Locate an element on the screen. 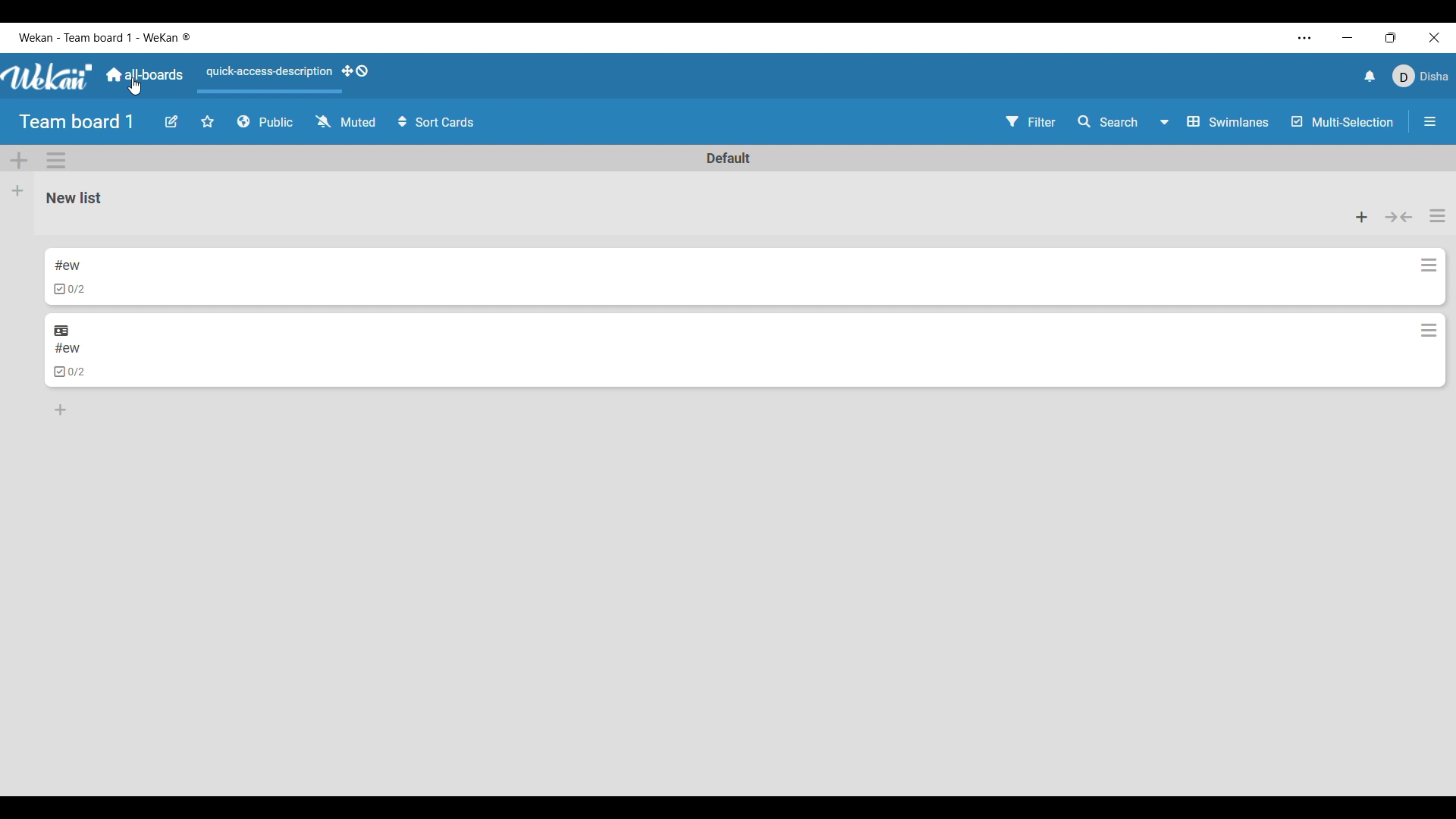 This screenshot has height=819, width=1456. More is located at coordinates (1429, 268).